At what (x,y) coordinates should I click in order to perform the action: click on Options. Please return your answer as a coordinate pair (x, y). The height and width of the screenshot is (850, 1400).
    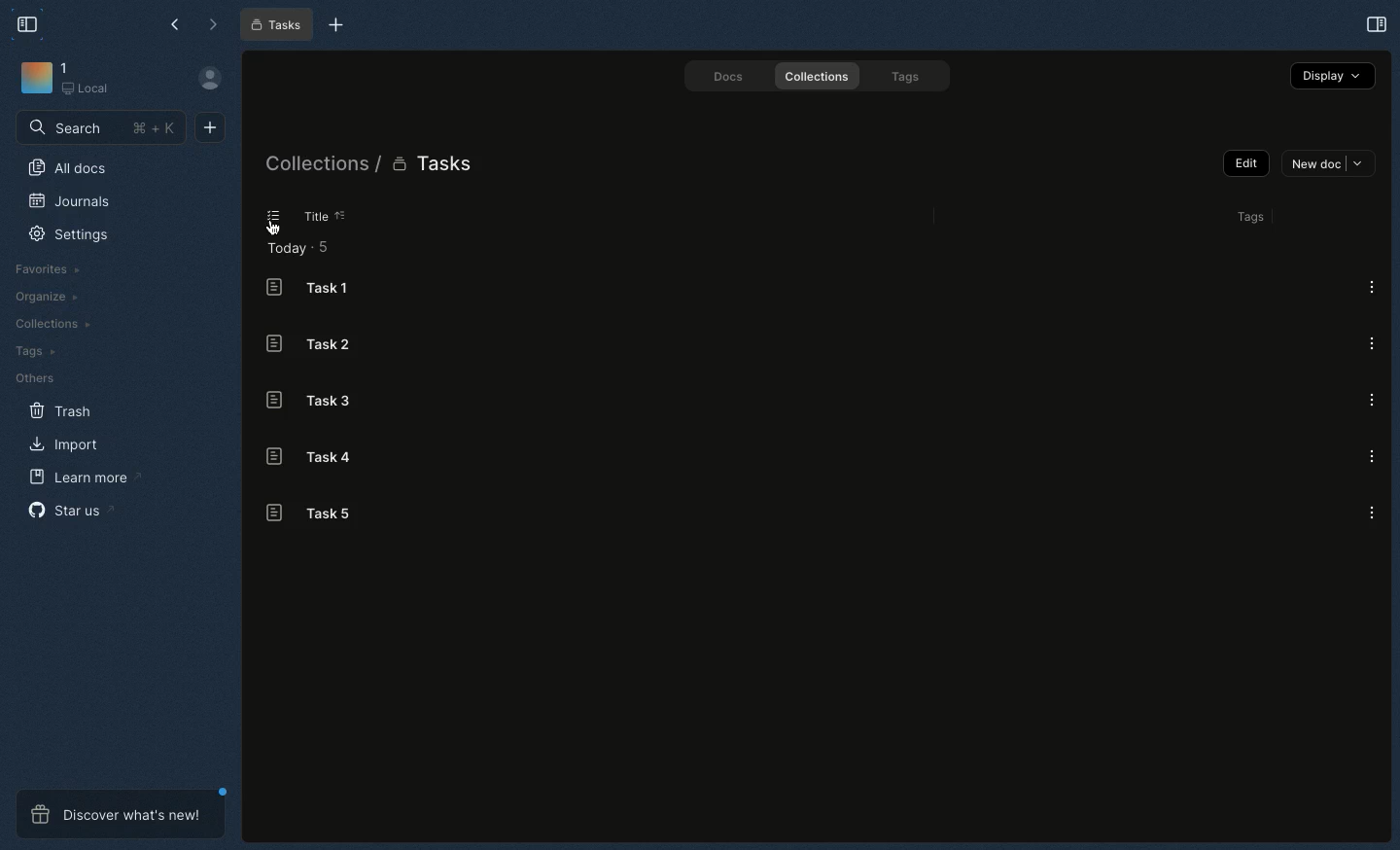
    Looking at the image, I should click on (1370, 511).